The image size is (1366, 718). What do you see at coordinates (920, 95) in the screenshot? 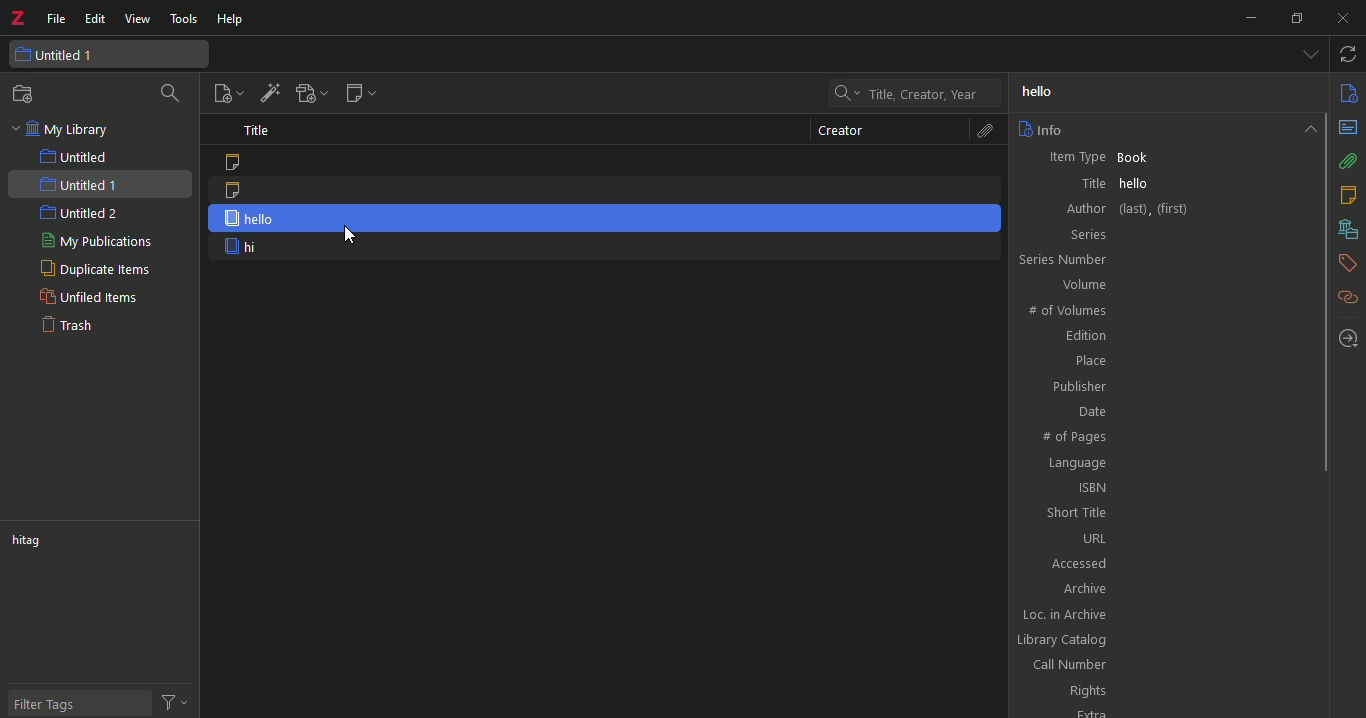
I see `title, creator, year` at bounding box center [920, 95].